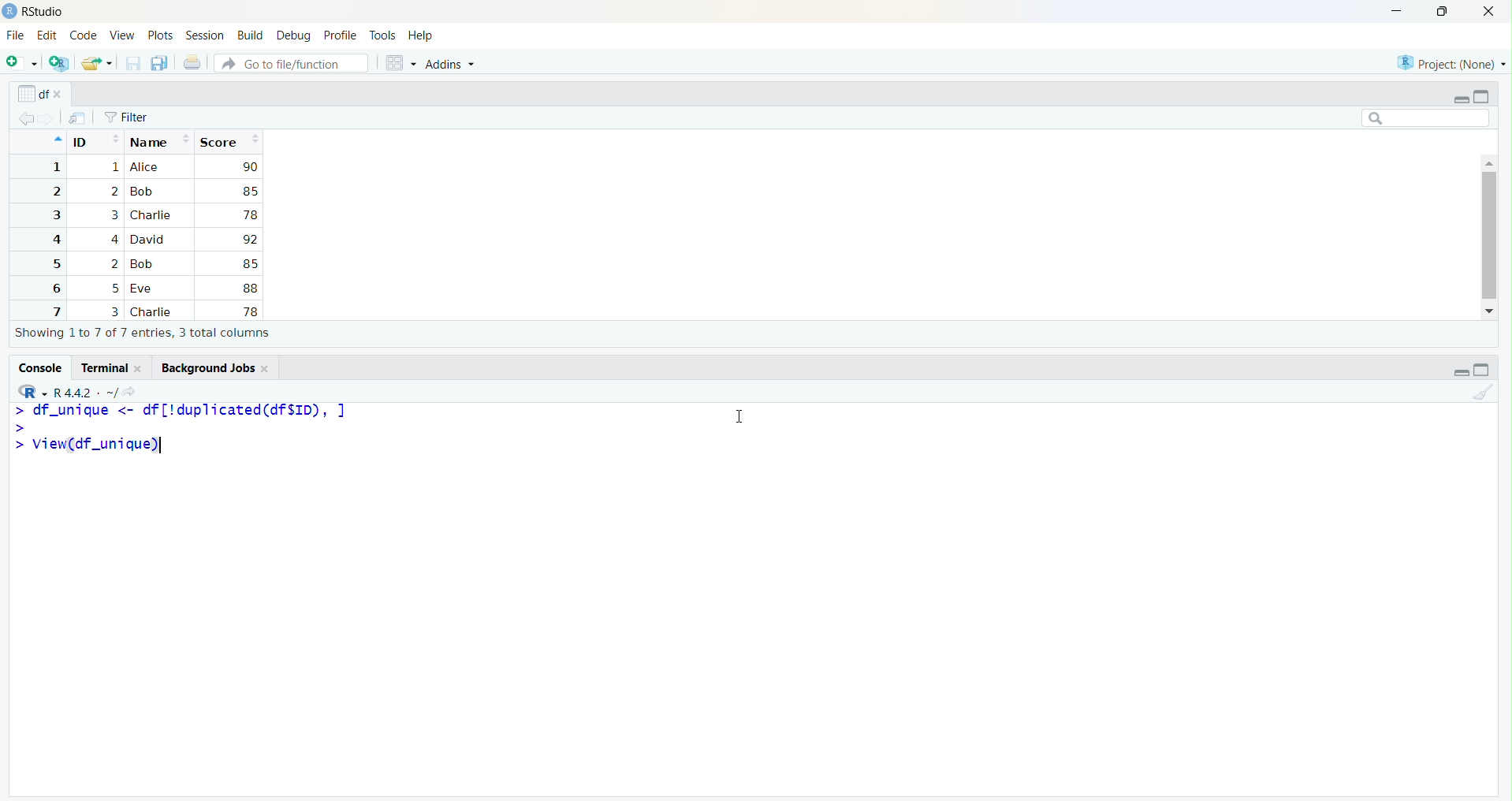 This screenshot has height=801, width=1512. Describe the element at coordinates (251, 288) in the screenshot. I see `88` at that location.